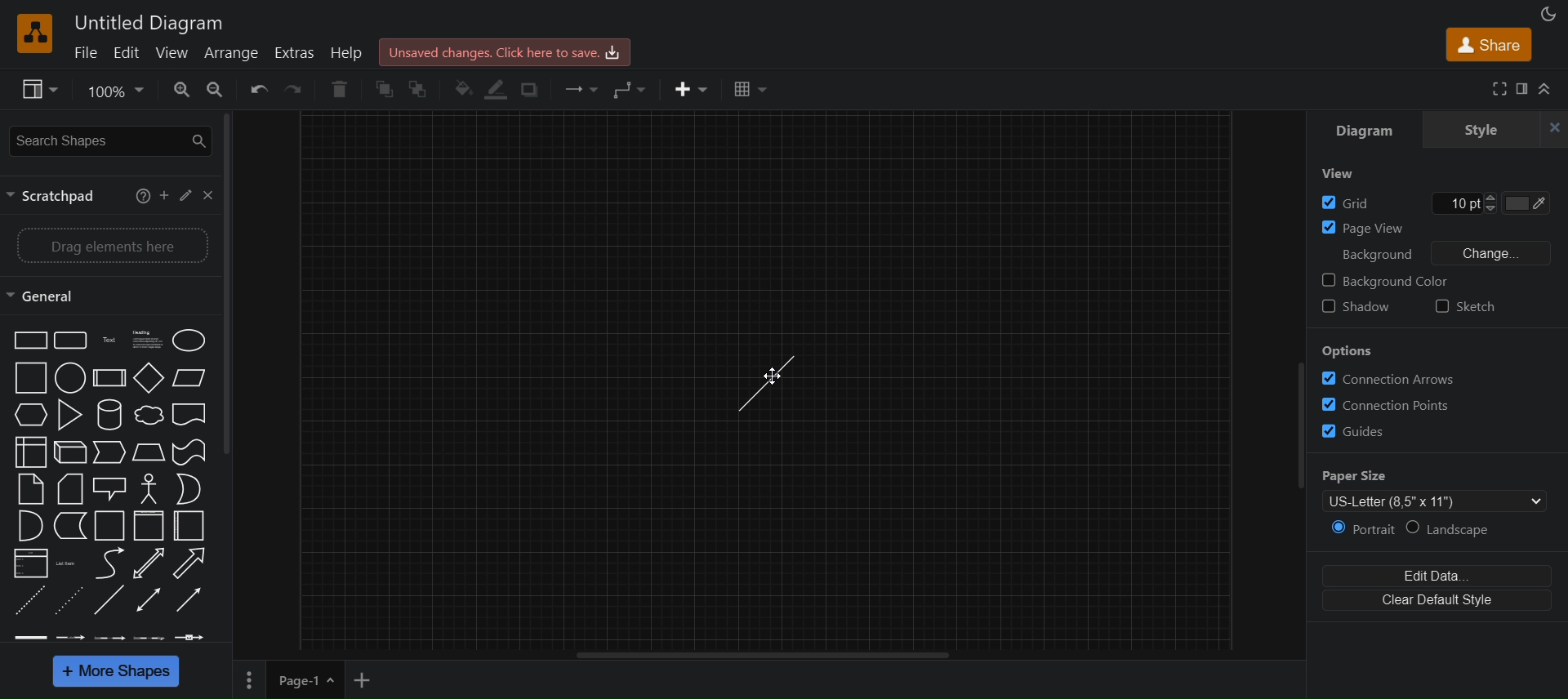 This screenshot has width=1568, height=699. Describe the element at coordinates (1437, 252) in the screenshot. I see `background change` at that location.